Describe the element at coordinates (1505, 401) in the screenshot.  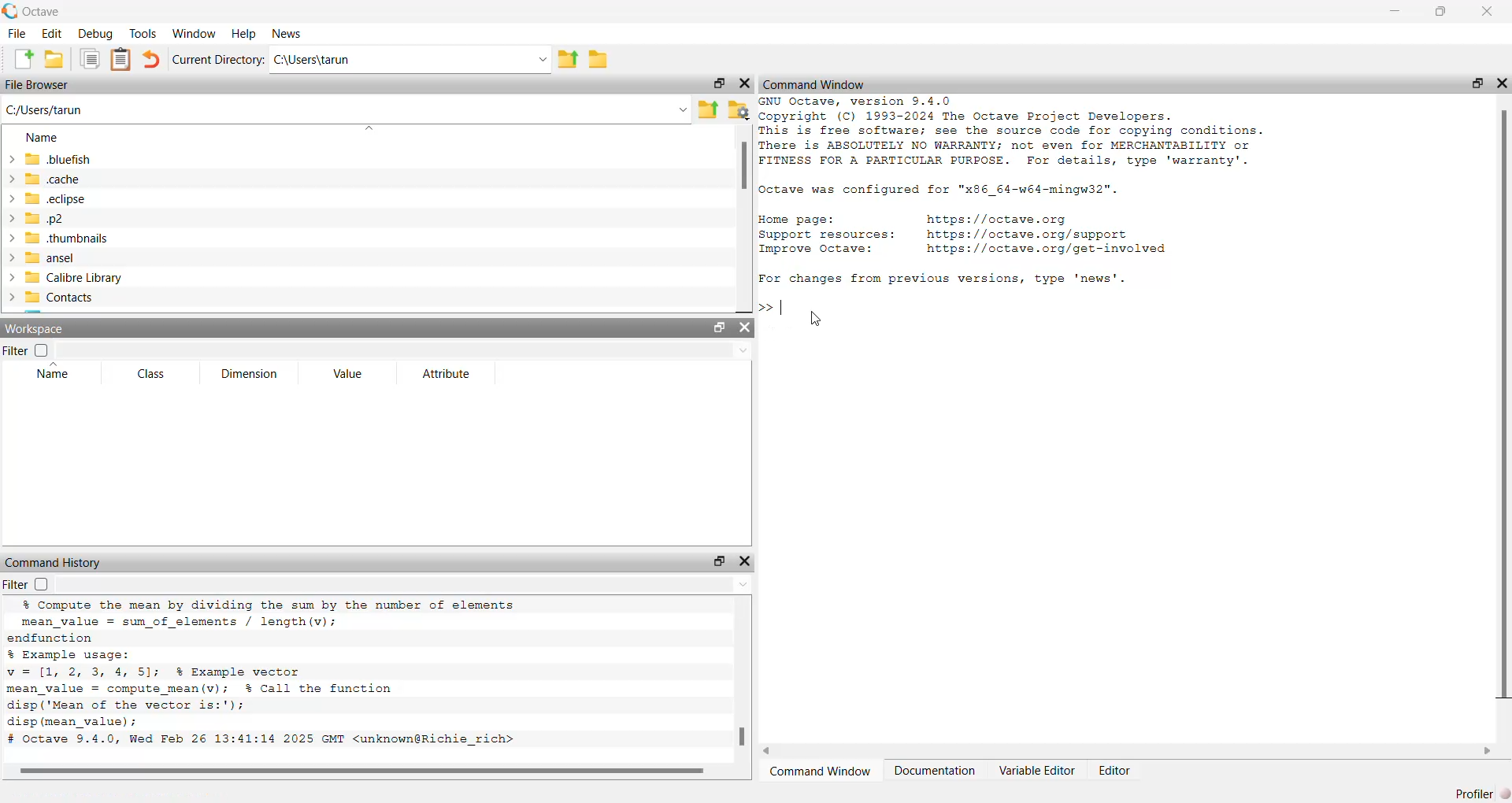
I see `scroll  bar` at that location.